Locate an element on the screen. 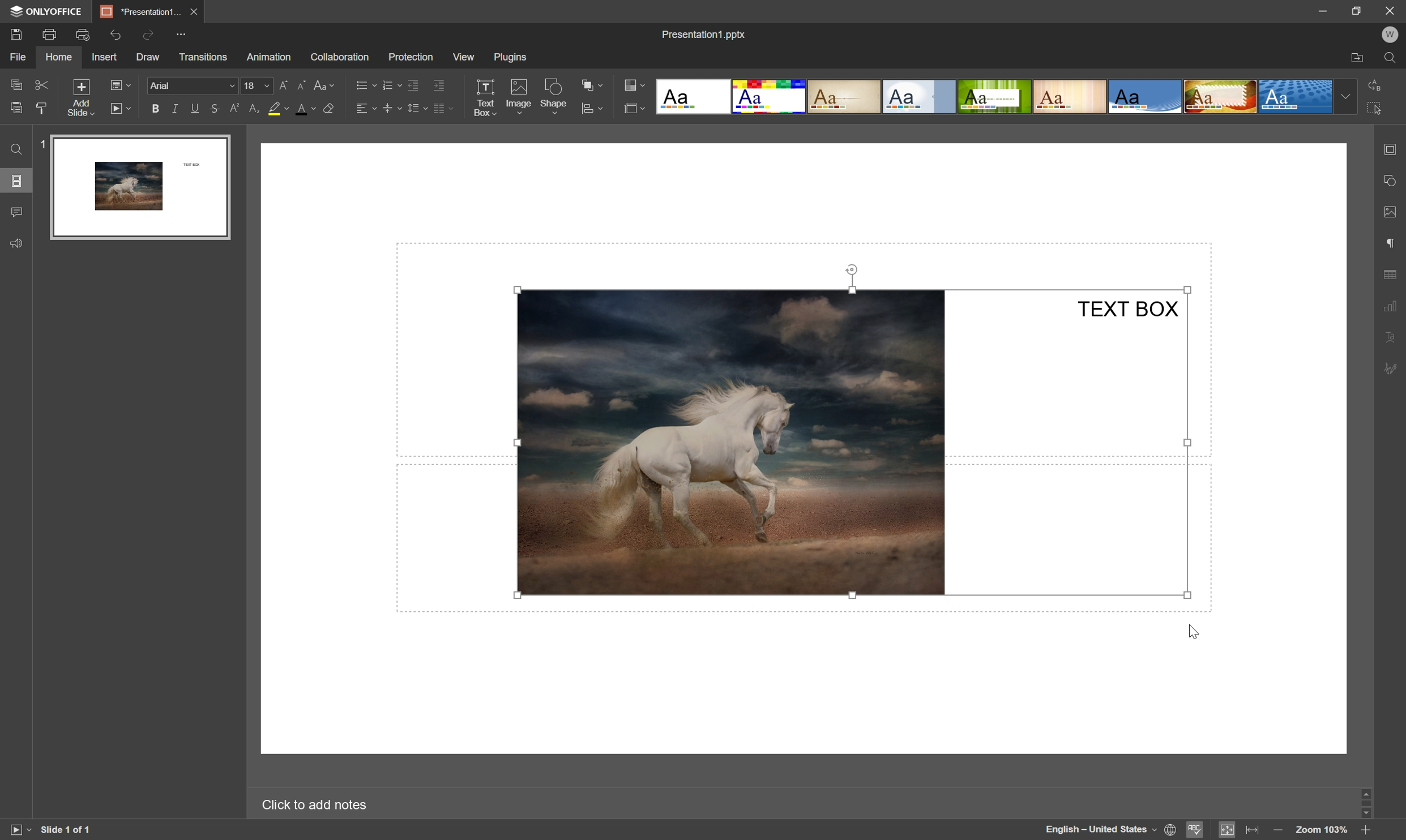 This screenshot has height=840, width=1406. click to add notes is located at coordinates (314, 806).